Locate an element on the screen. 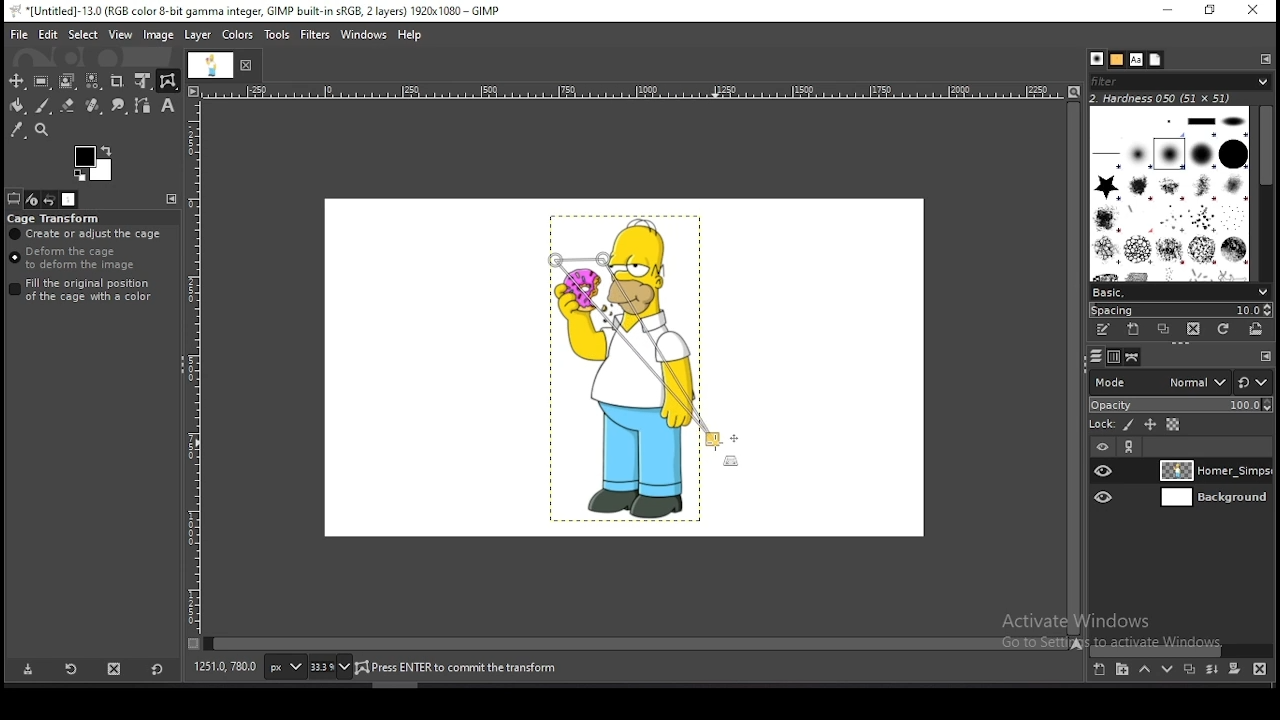  create a new brush is located at coordinates (1136, 331).